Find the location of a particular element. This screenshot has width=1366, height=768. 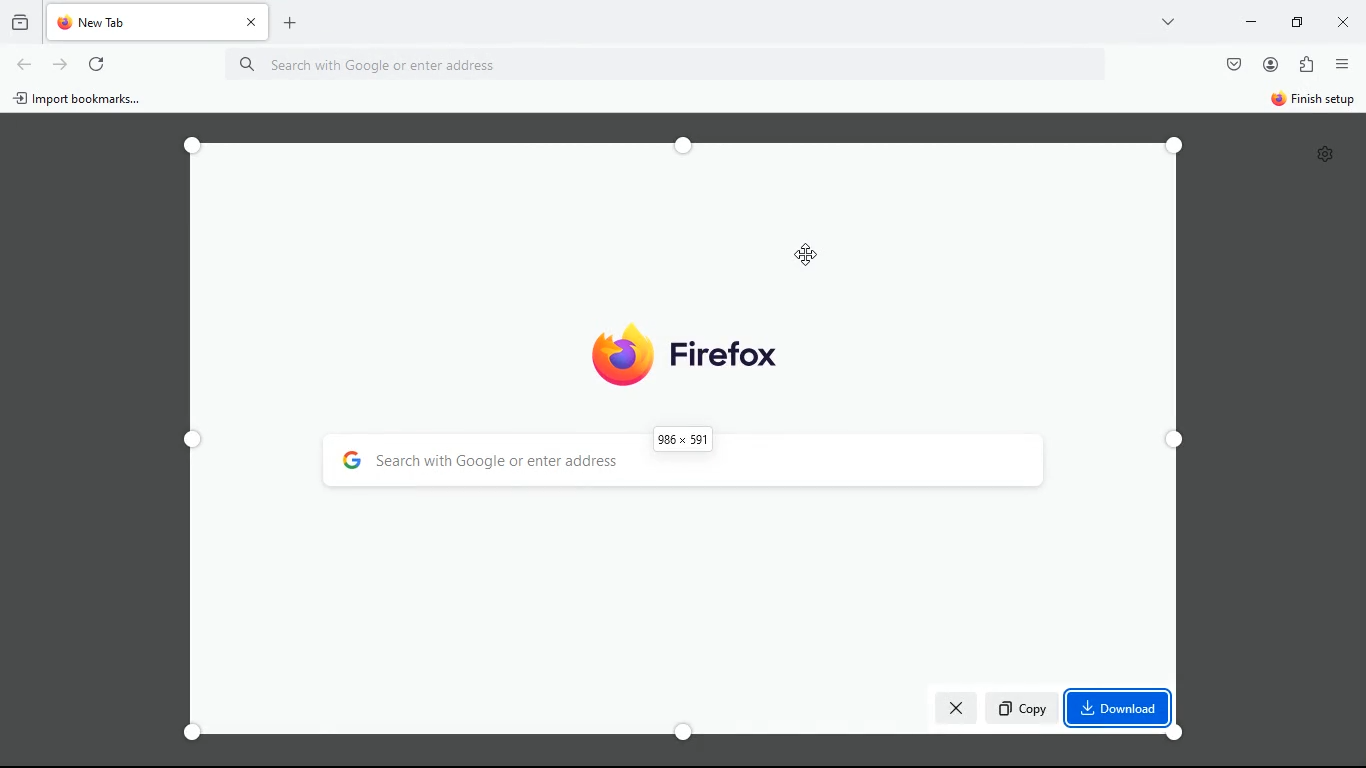

history is located at coordinates (18, 20).